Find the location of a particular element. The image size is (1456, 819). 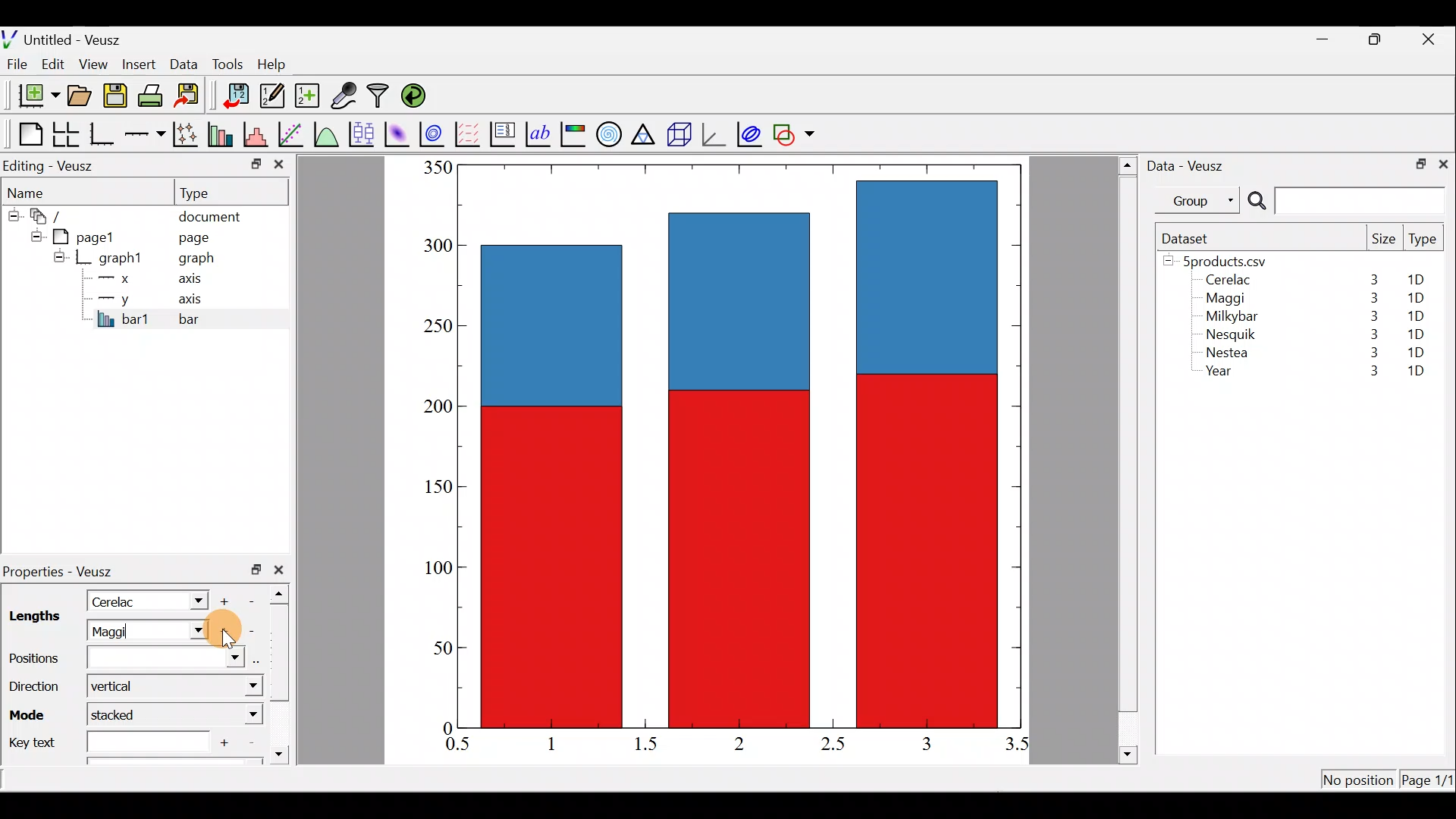

Save the document is located at coordinates (117, 99).